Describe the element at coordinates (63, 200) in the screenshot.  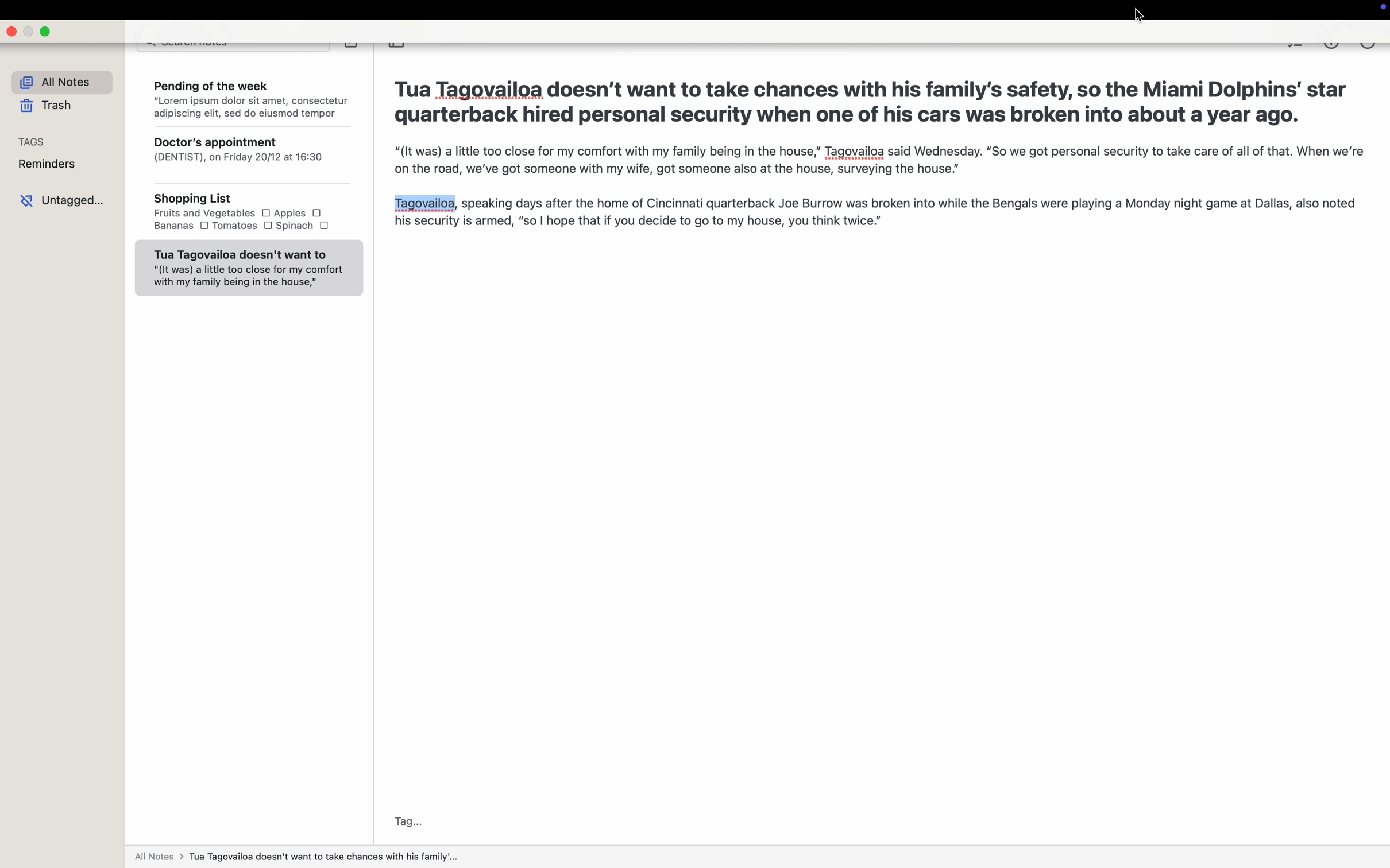
I see `untagged` at that location.